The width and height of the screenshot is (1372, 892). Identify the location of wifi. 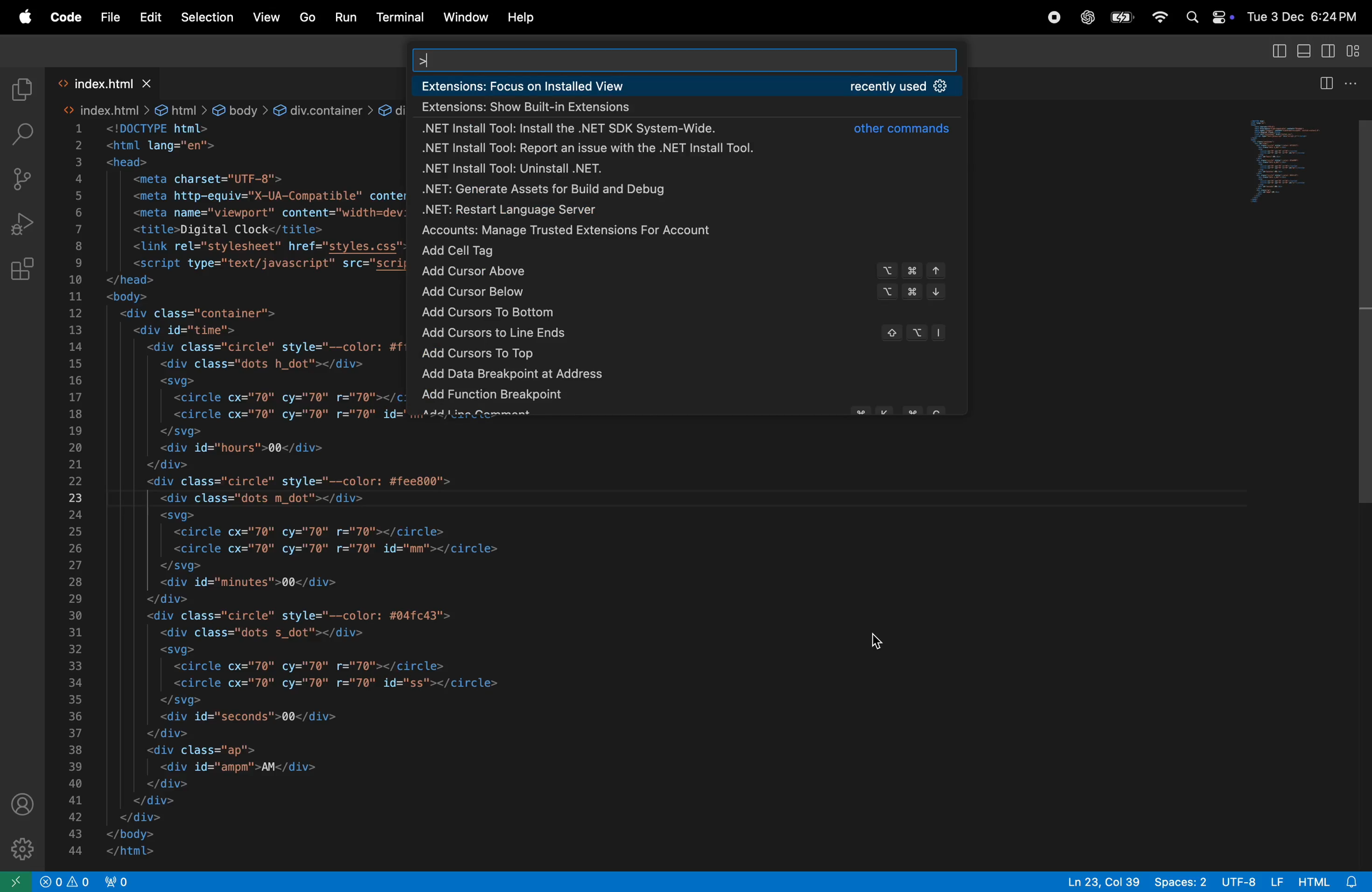
(1159, 17).